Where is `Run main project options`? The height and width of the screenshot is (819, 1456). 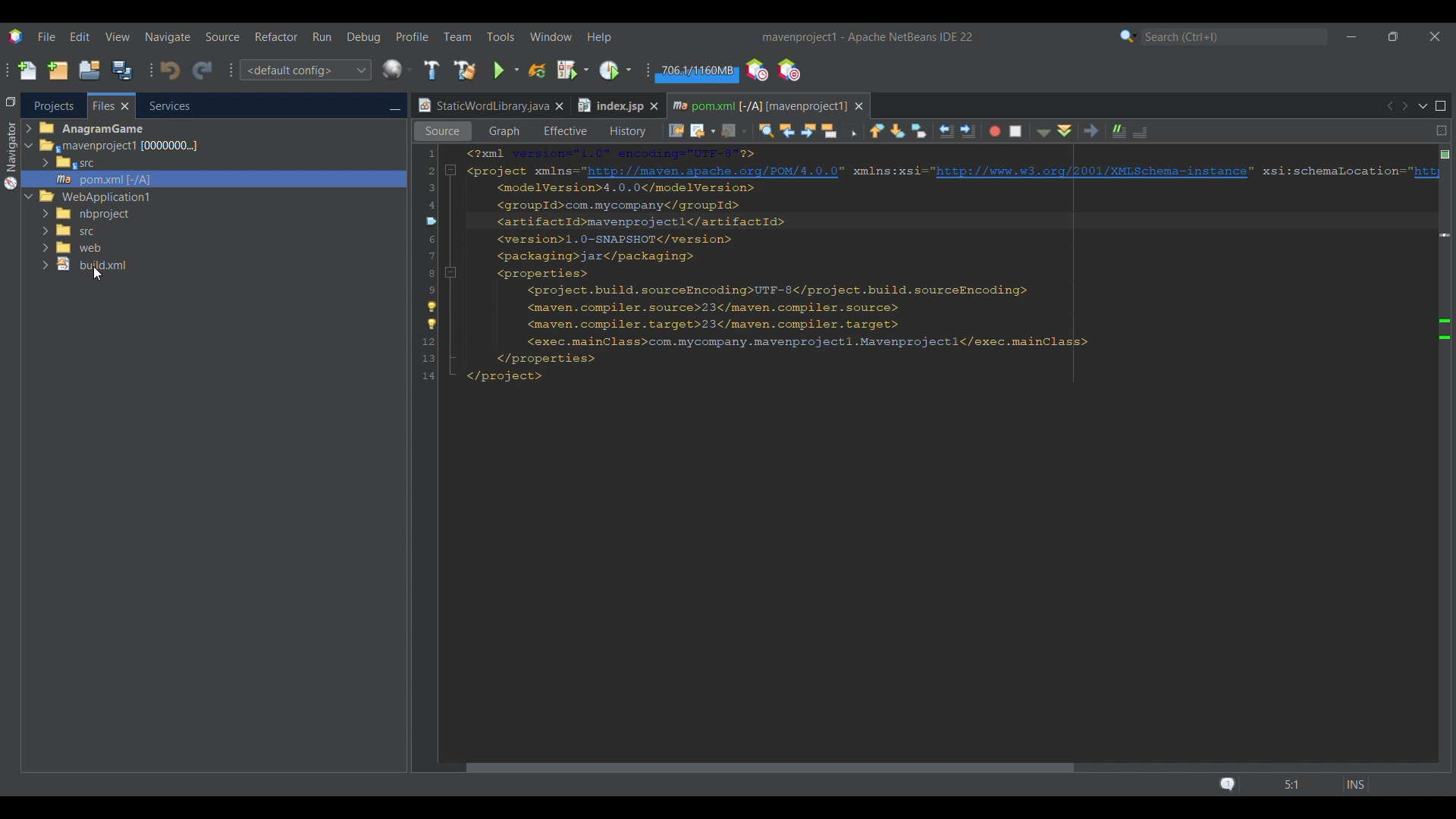
Run main project options is located at coordinates (507, 71).